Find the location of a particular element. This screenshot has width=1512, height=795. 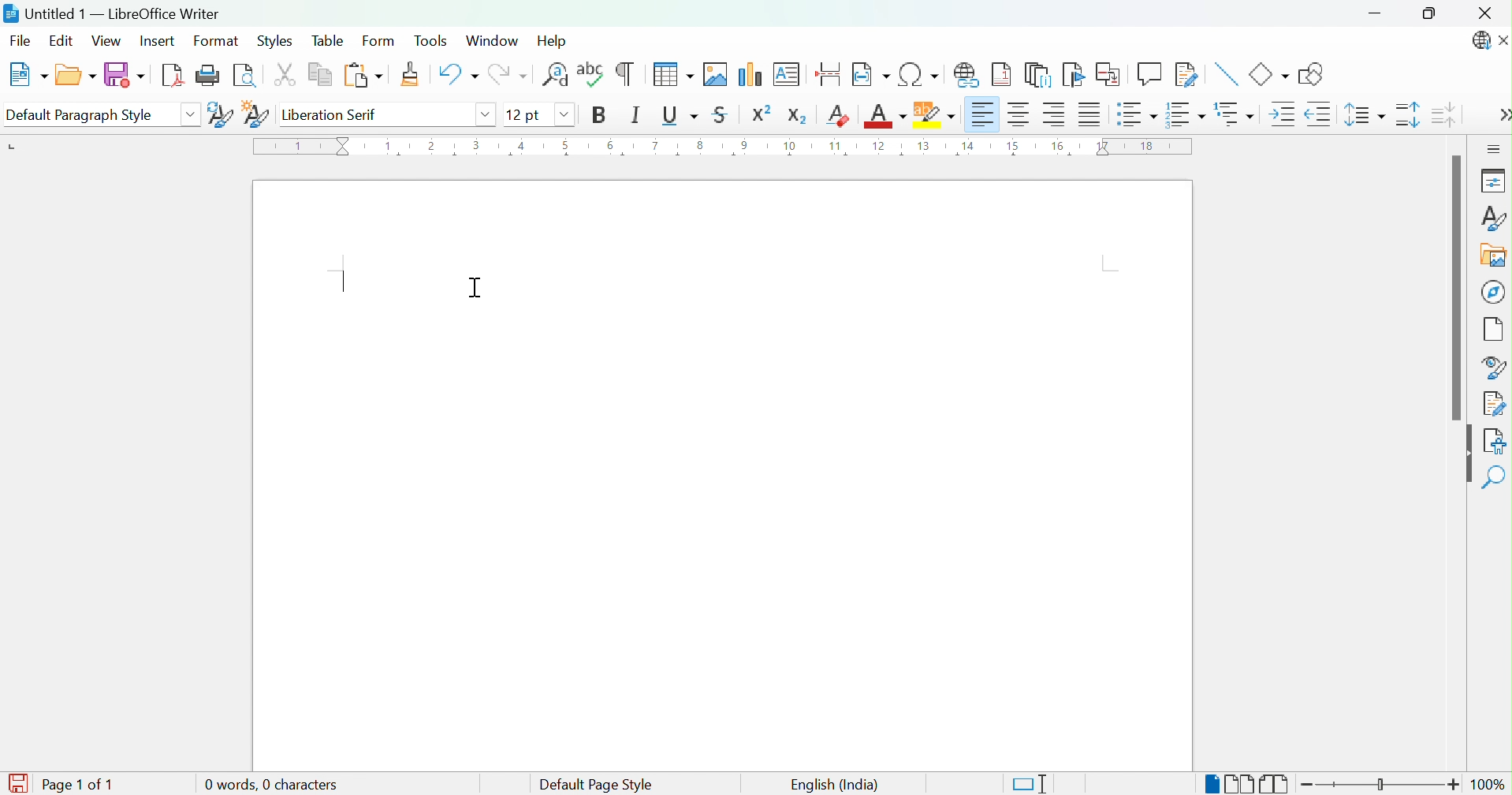

Copy is located at coordinates (318, 75).